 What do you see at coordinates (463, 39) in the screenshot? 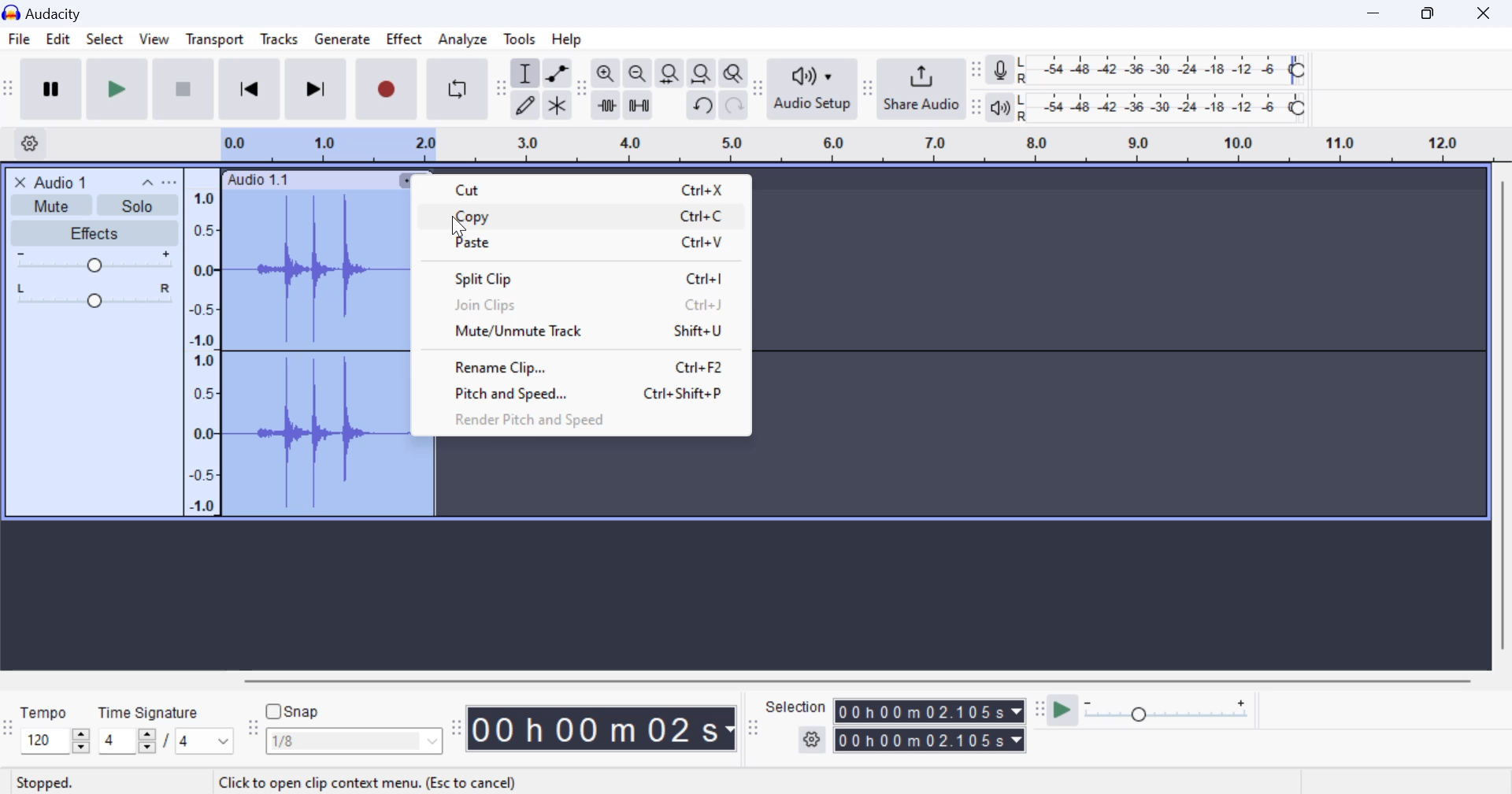
I see `Analyze` at bounding box center [463, 39].